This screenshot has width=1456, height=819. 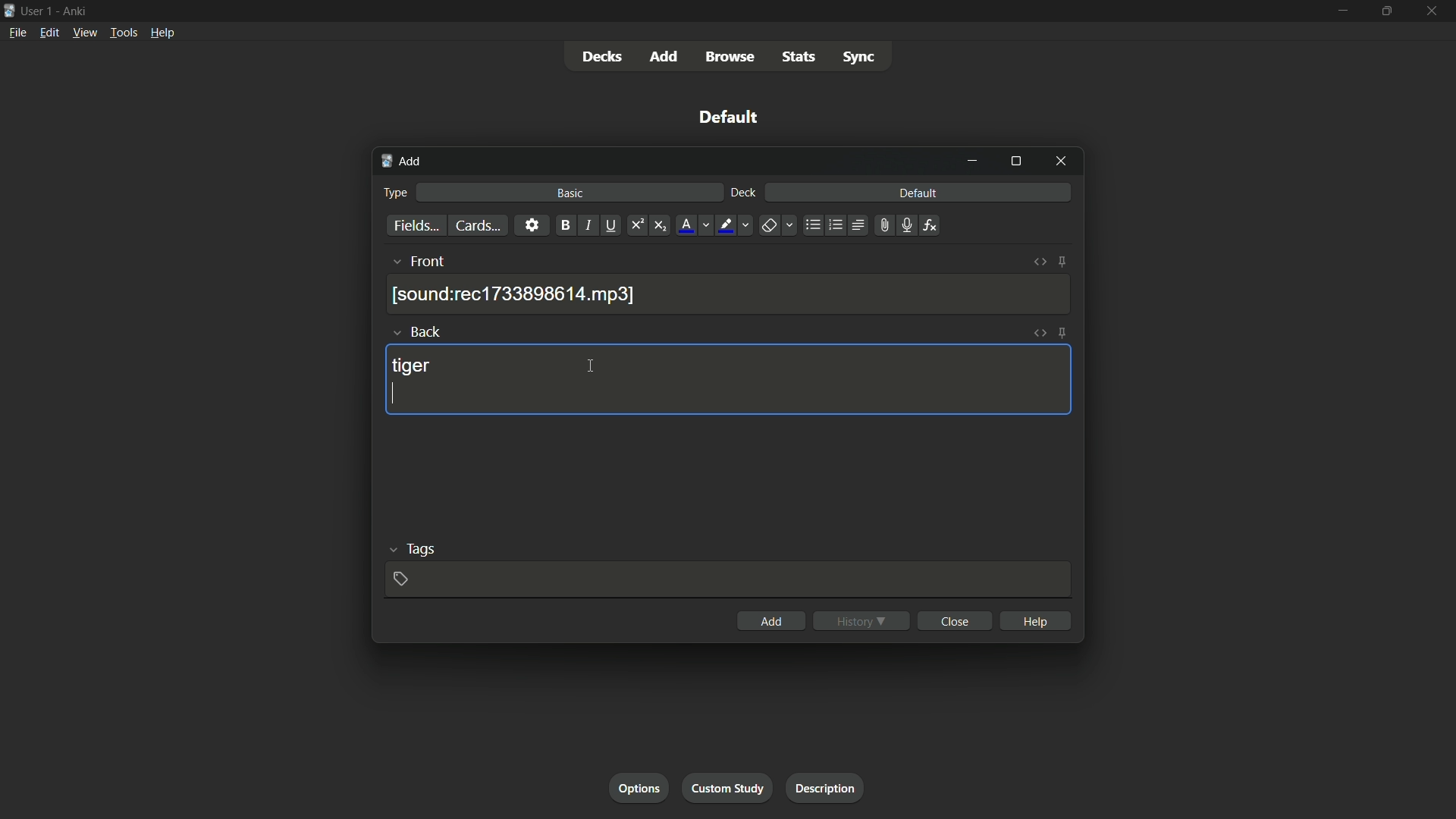 What do you see at coordinates (516, 294) in the screenshot?
I see `recording saved` at bounding box center [516, 294].